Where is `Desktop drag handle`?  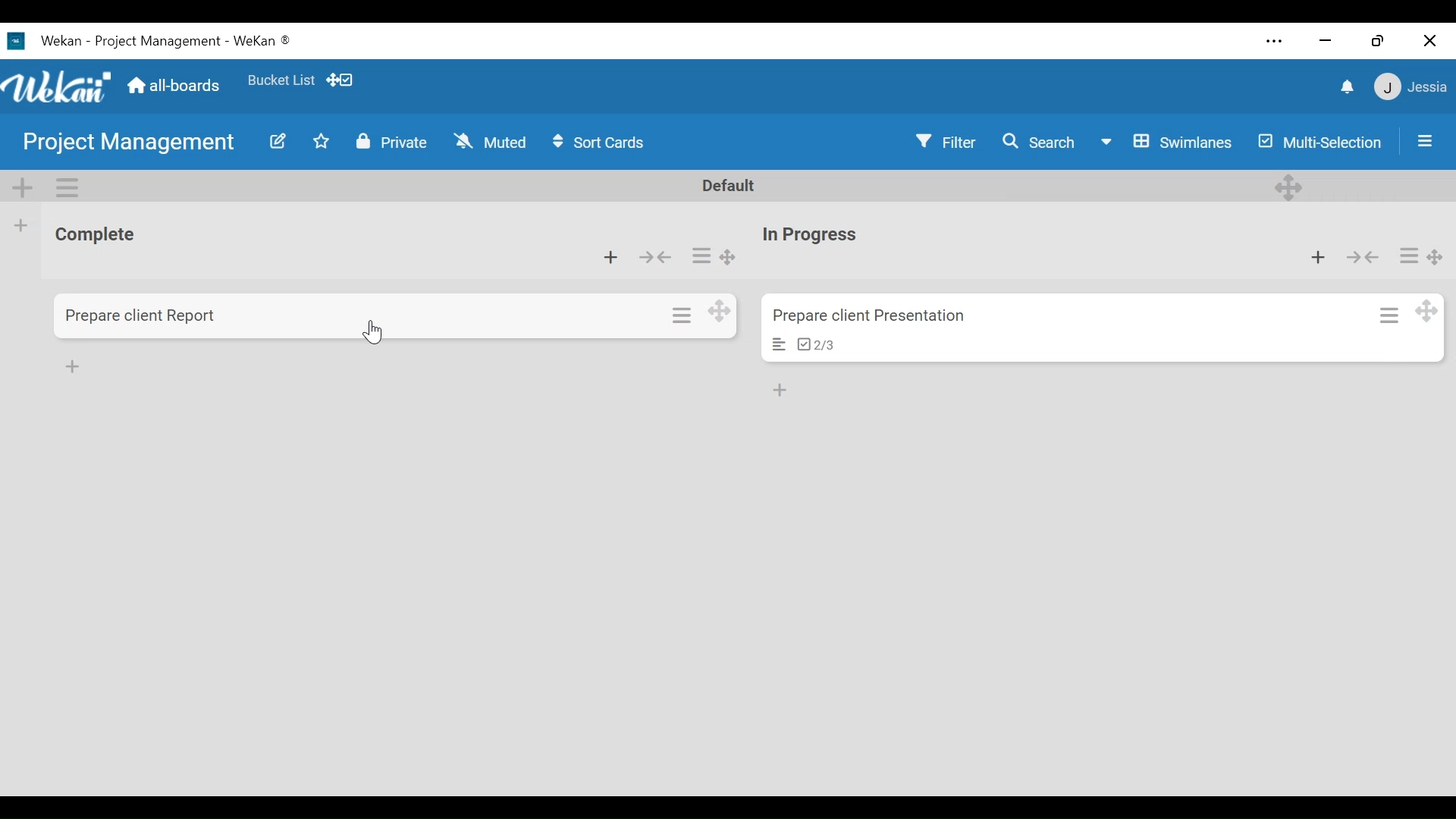
Desktop drag handle is located at coordinates (1288, 187).